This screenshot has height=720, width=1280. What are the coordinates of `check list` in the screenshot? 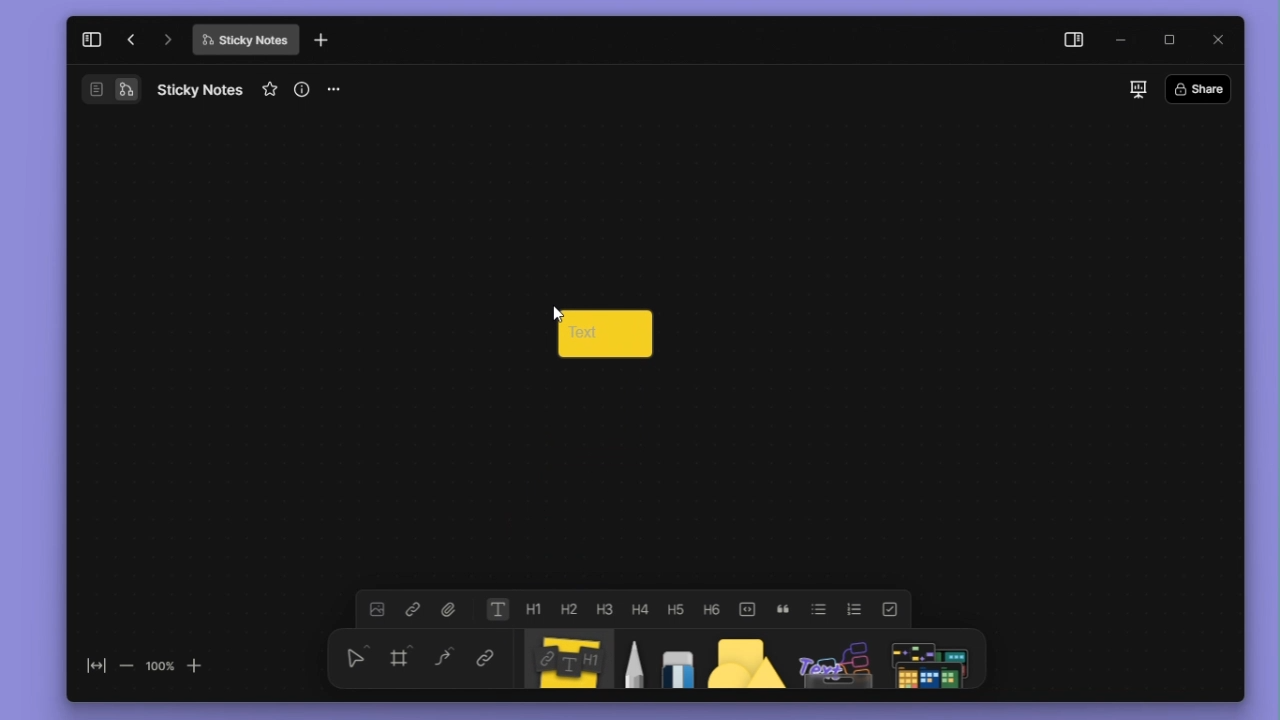 It's located at (896, 609).